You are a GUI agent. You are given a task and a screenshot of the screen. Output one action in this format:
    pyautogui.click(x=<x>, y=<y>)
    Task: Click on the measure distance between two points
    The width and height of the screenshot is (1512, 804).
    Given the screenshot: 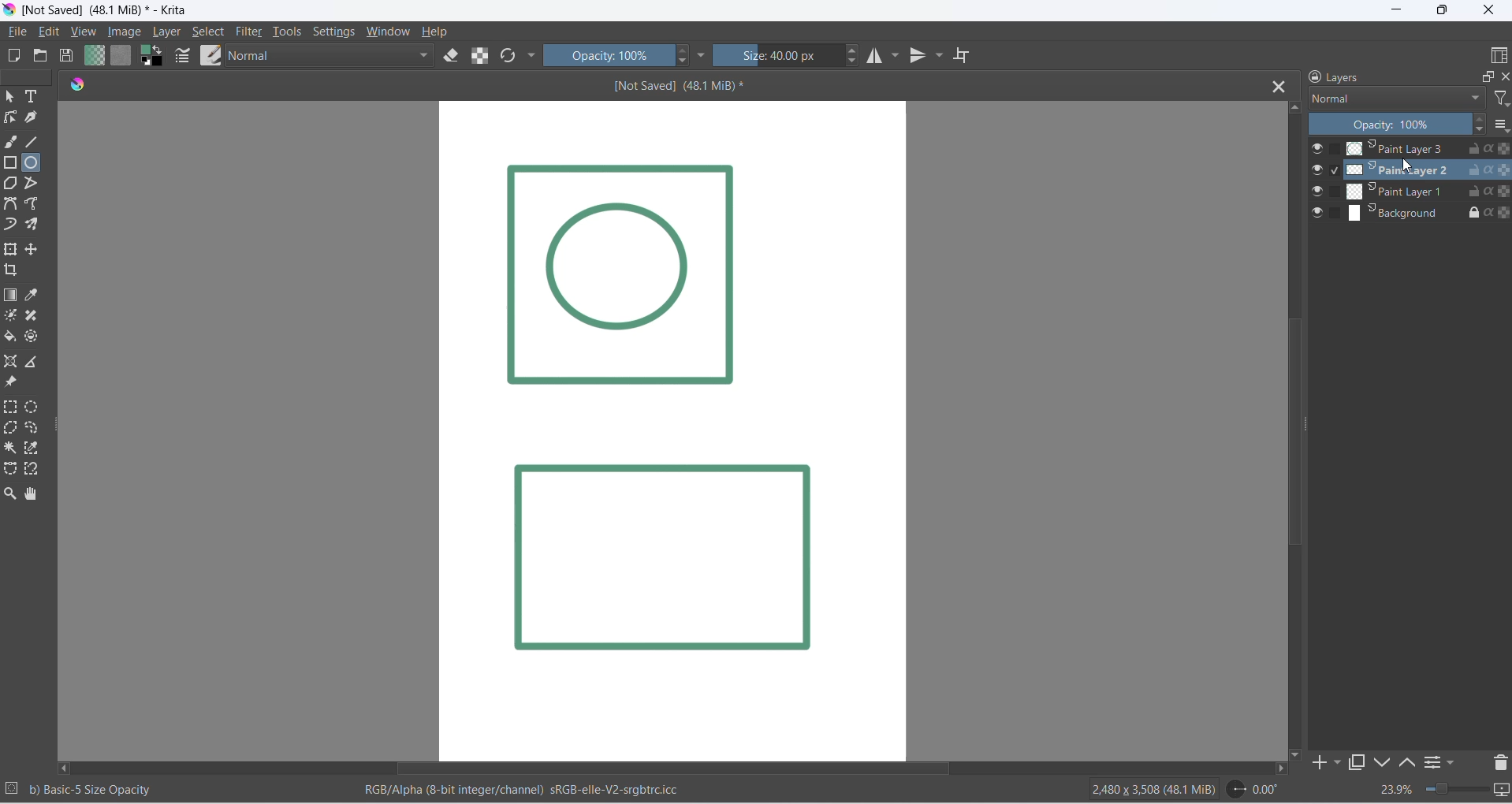 What is the action you would take?
    pyautogui.click(x=35, y=361)
    